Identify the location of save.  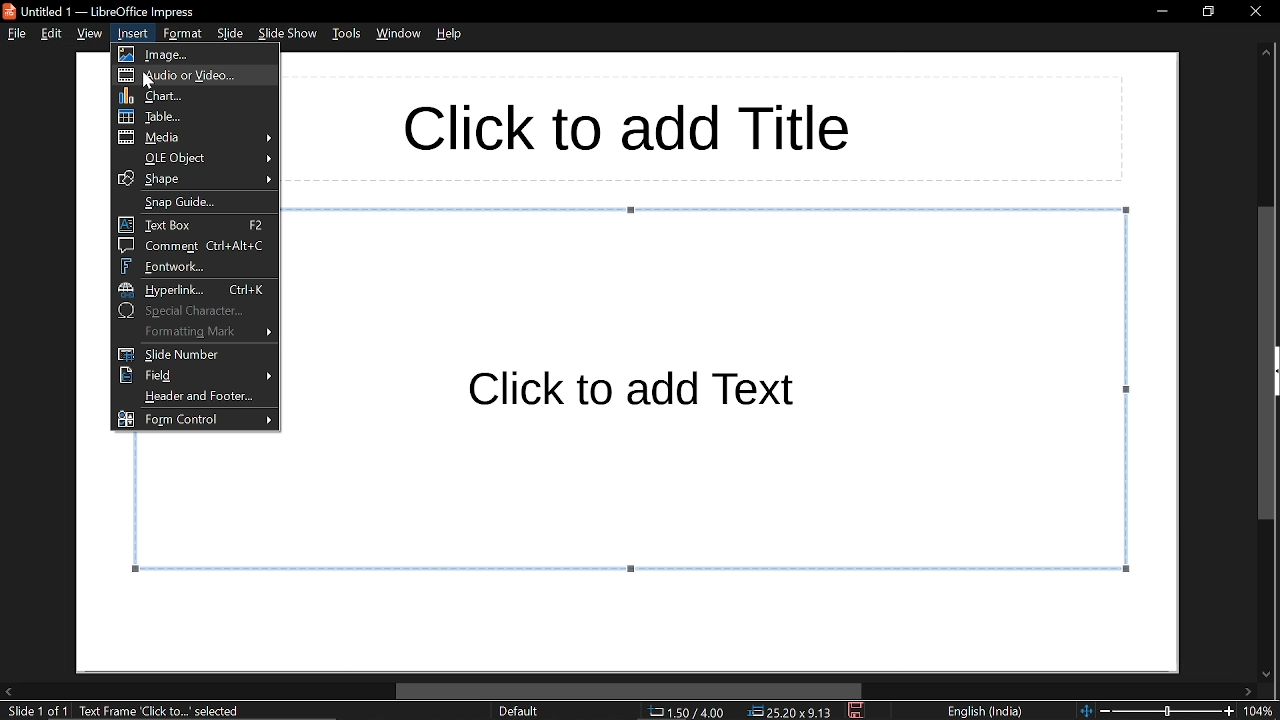
(857, 711).